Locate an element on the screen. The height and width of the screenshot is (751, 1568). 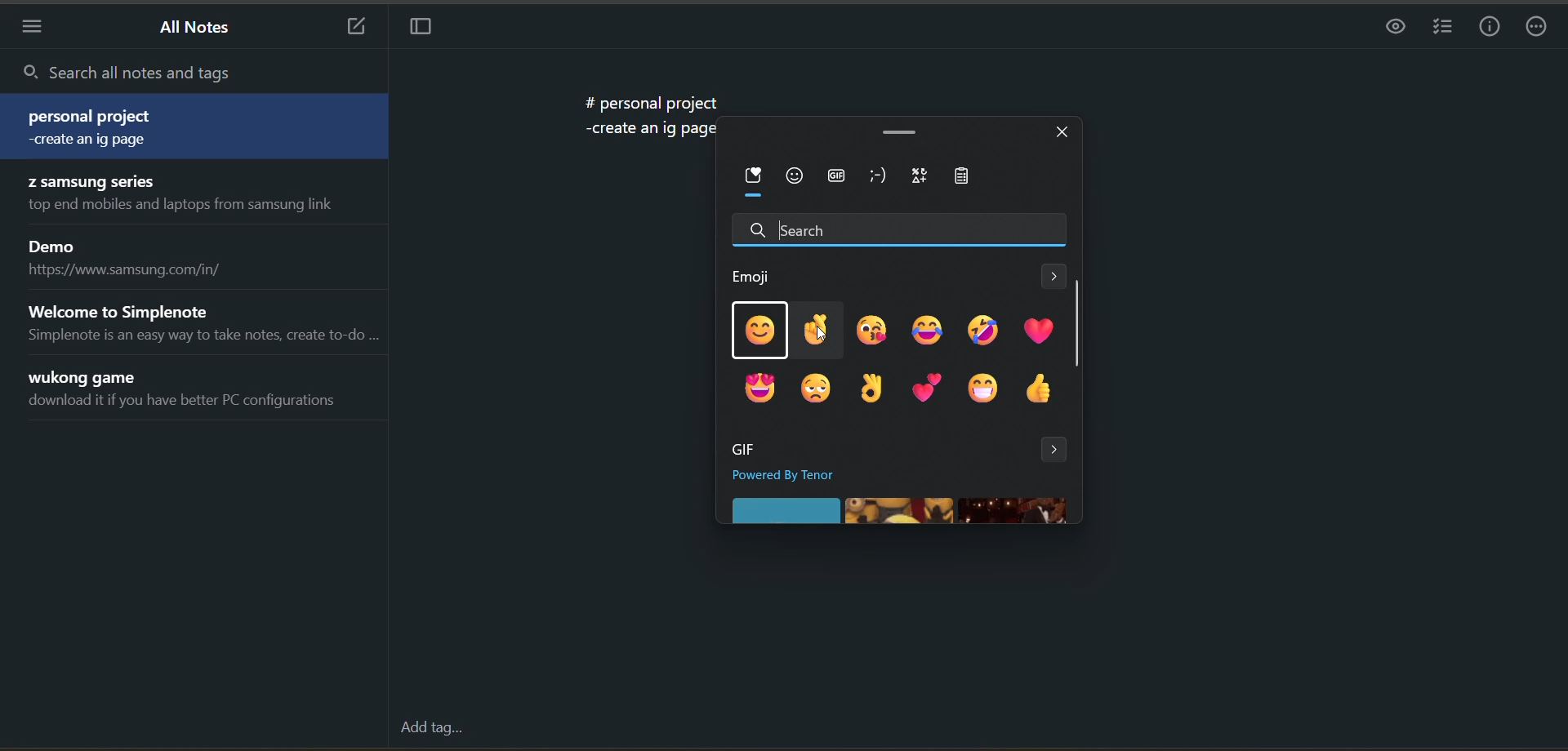
gif is located at coordinates (749, 450).